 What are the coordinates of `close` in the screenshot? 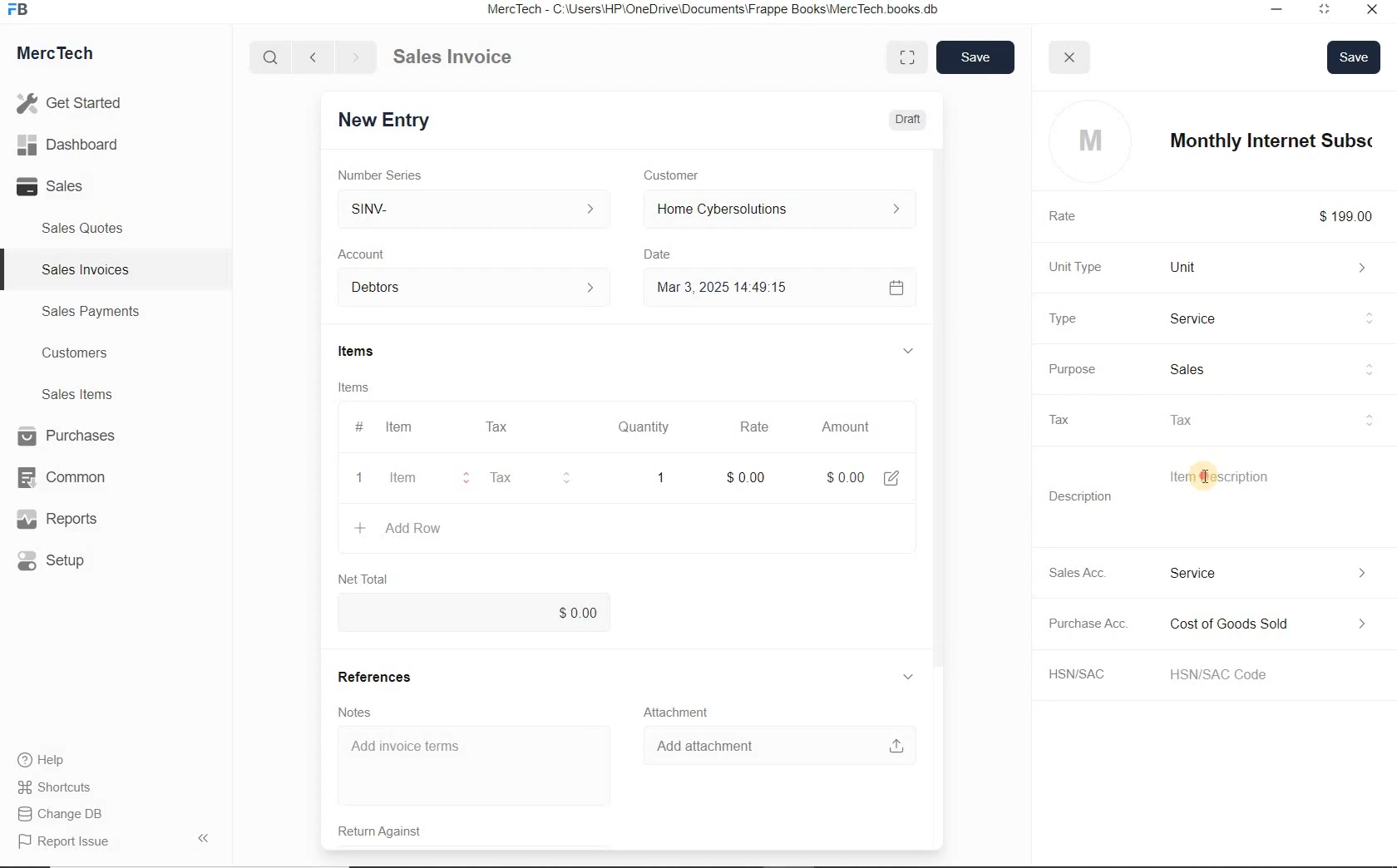 It's located at (1068, 57).